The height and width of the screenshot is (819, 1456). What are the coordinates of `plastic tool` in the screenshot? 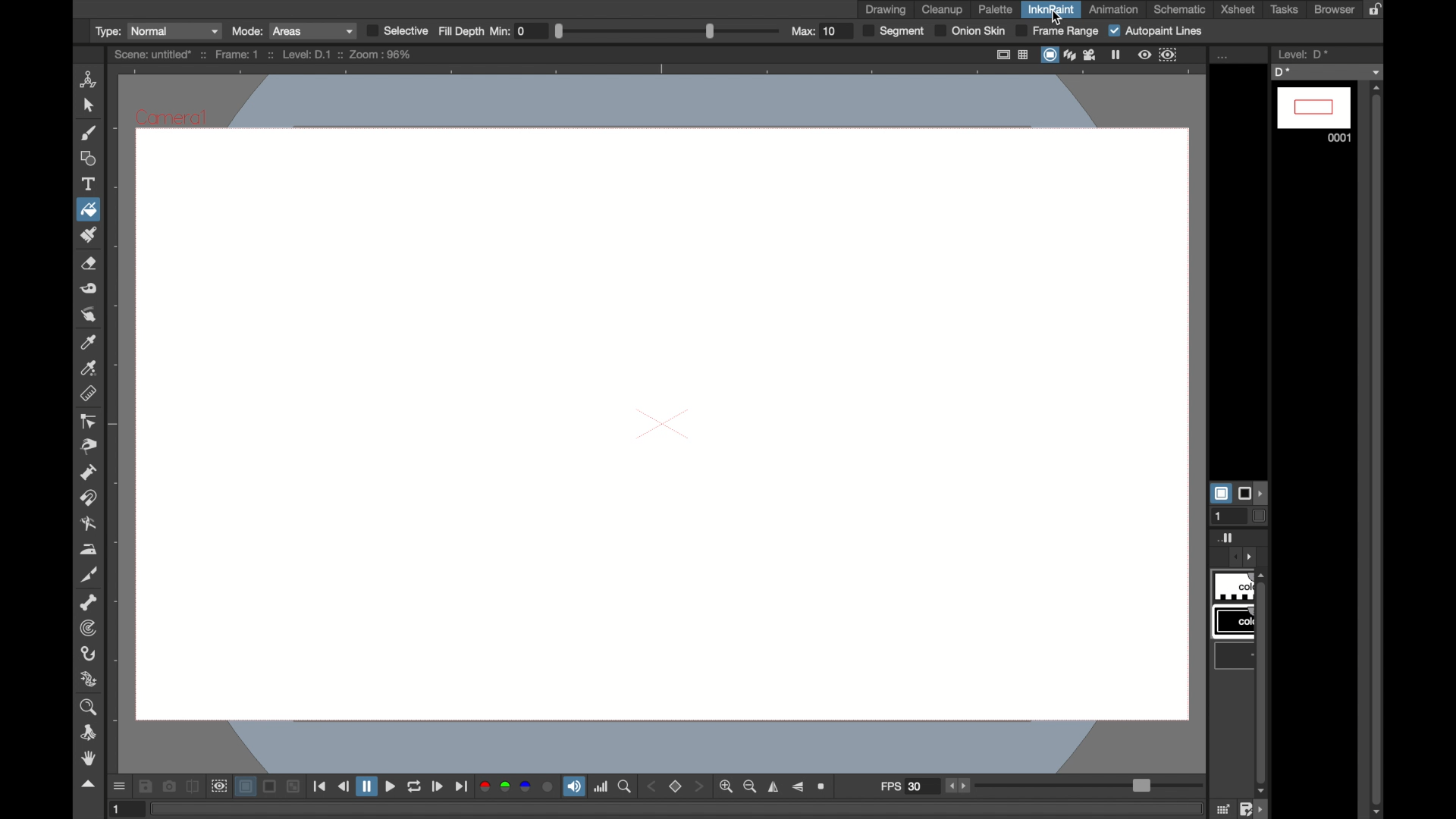 It's located at (89, 679).